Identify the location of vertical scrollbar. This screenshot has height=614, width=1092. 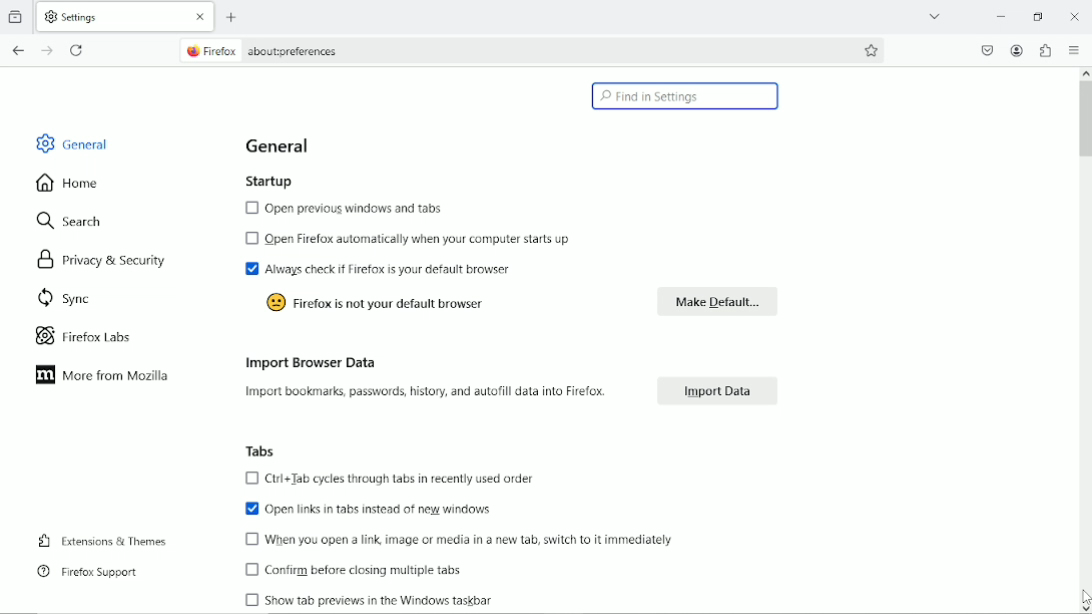
(1083, 121).